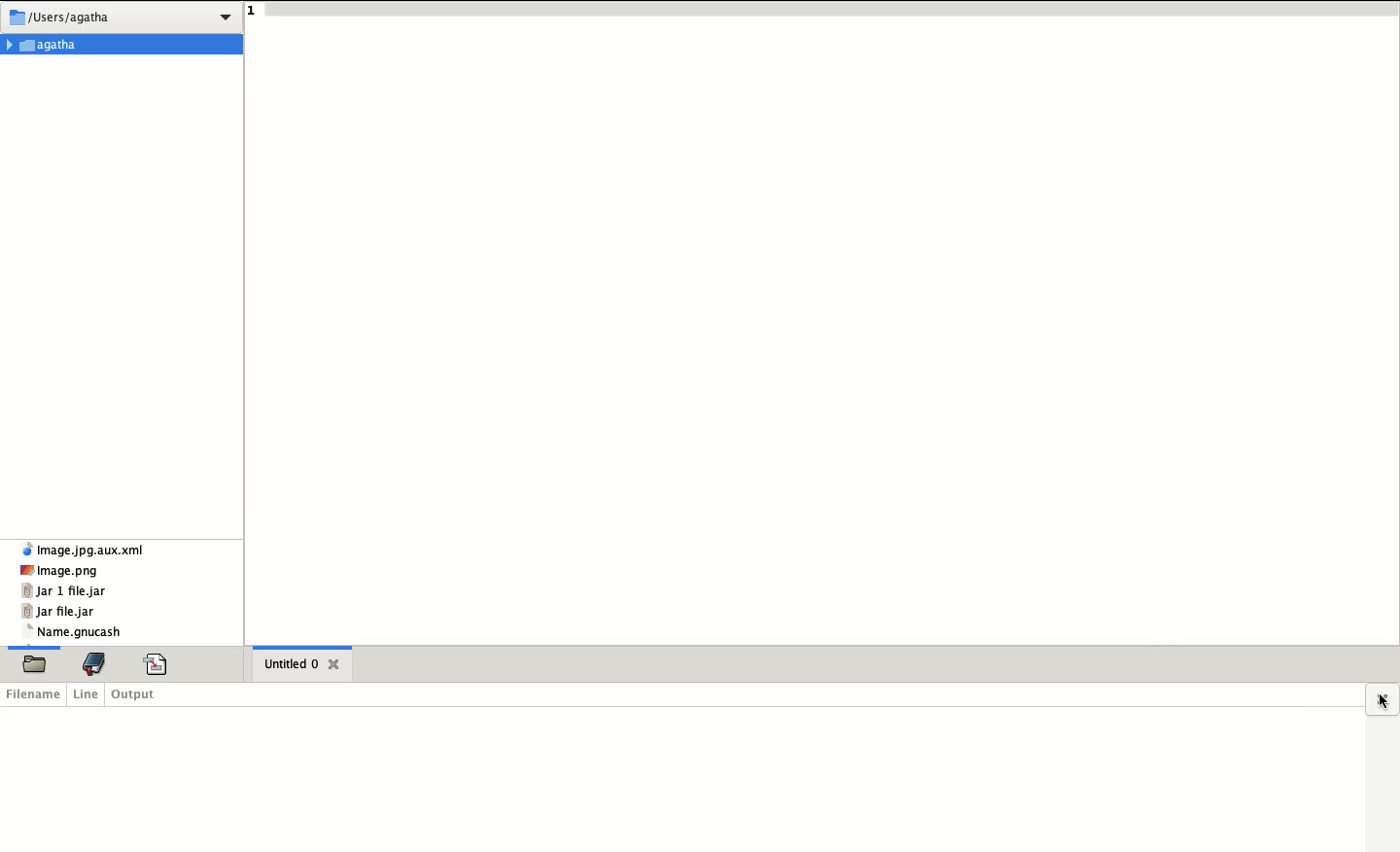 The width and height of the screenshot is (1400, 852). I want to click on name.gnucash, so click(79, 632).